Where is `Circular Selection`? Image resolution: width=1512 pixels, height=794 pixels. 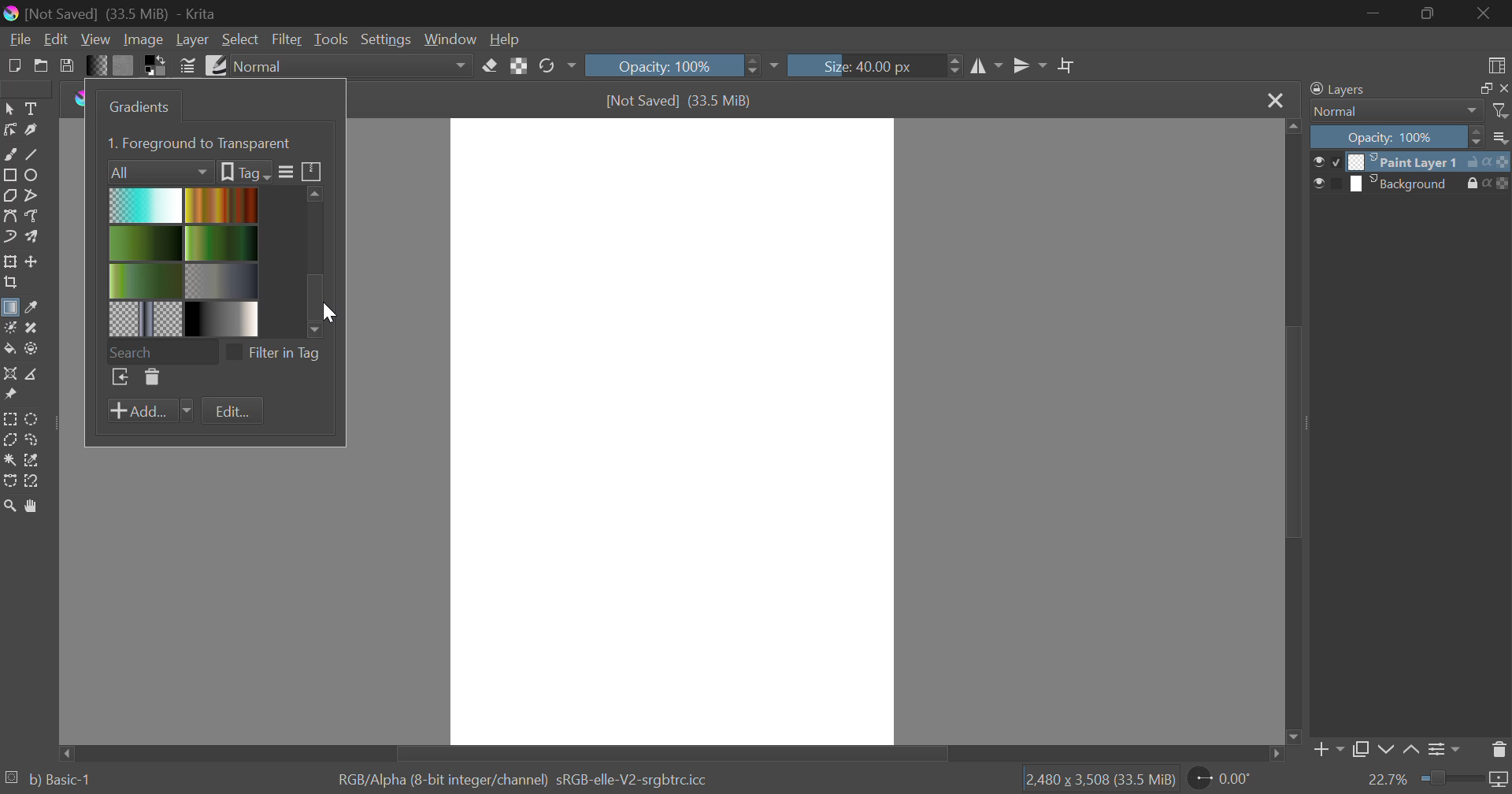 Circular Selection is located at coordinates (34, 419).